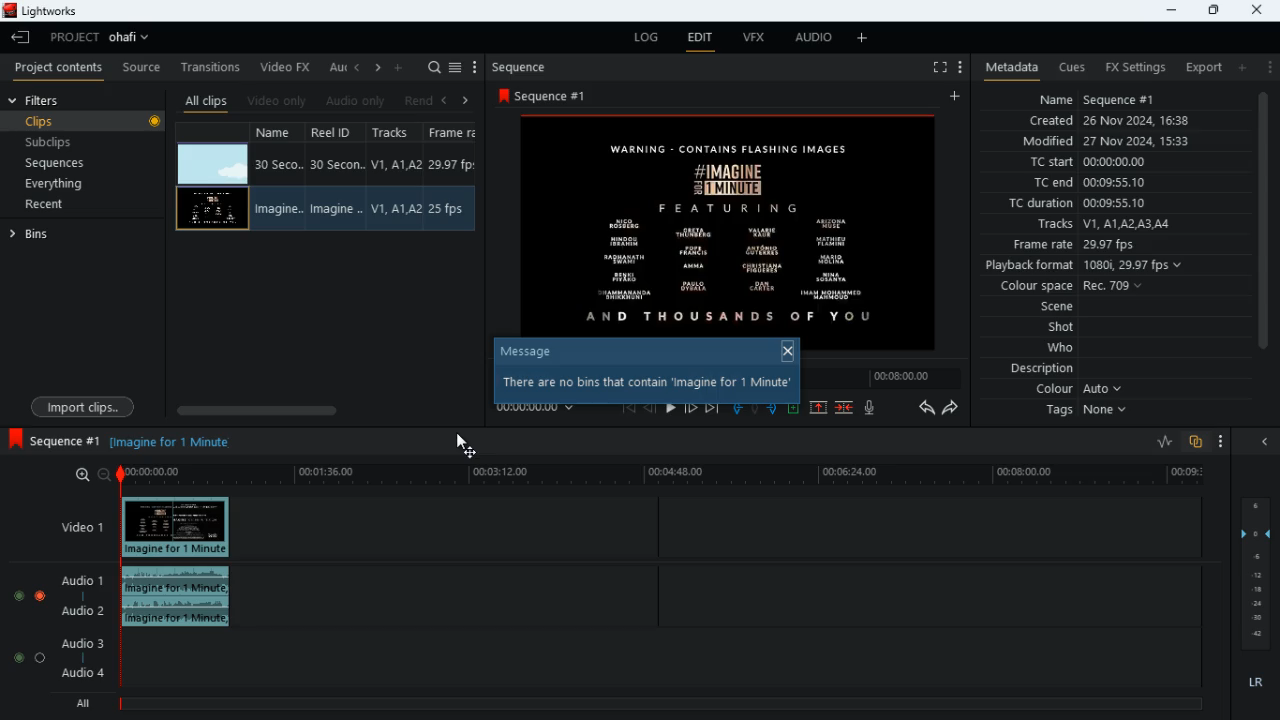  What do you see at coordinates (932, 68) in the screenshot?
I see `full screen` at bounding box center [932, 68].